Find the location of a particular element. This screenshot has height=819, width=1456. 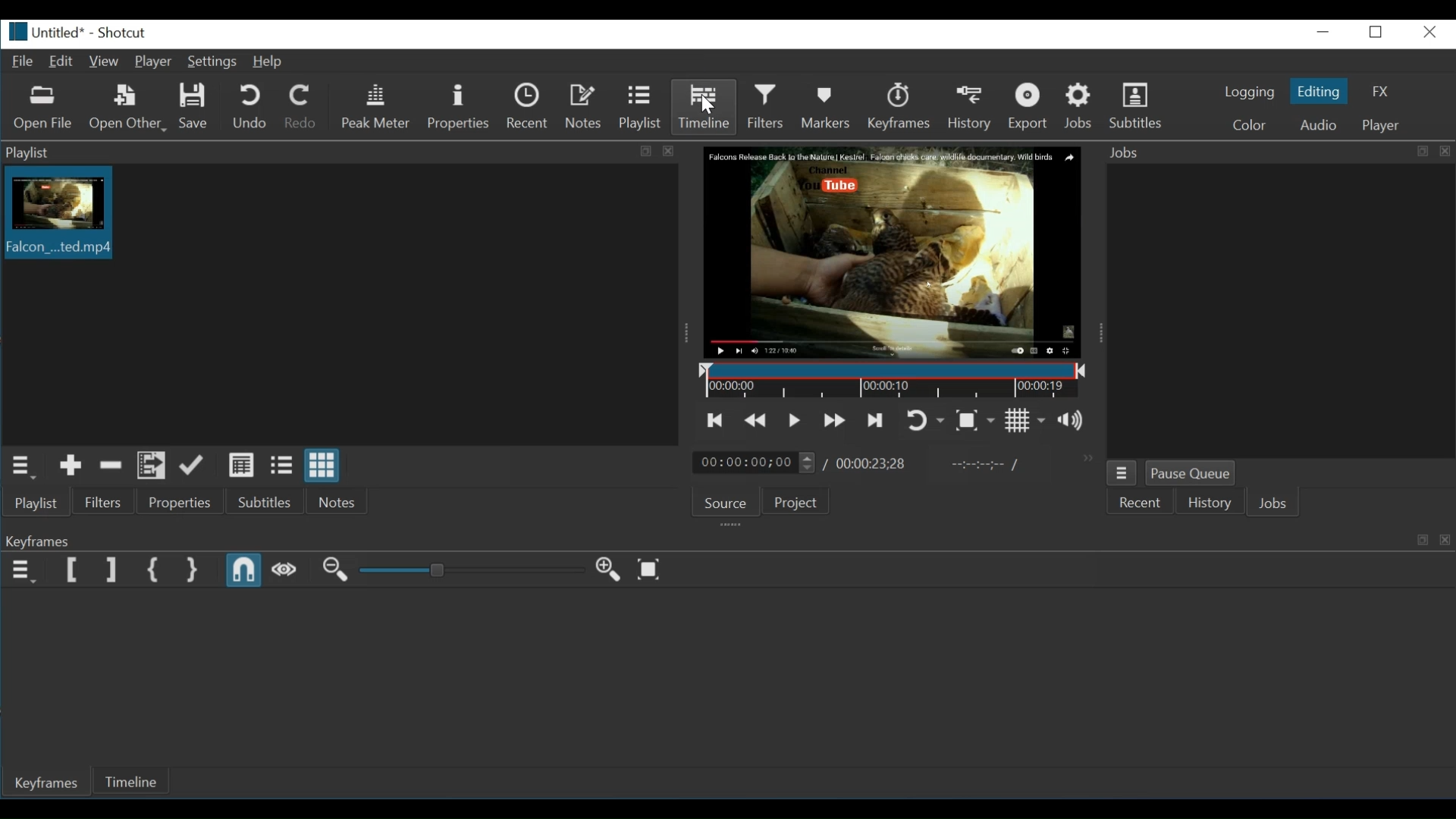

Current location is located at coordinates (756, 463).